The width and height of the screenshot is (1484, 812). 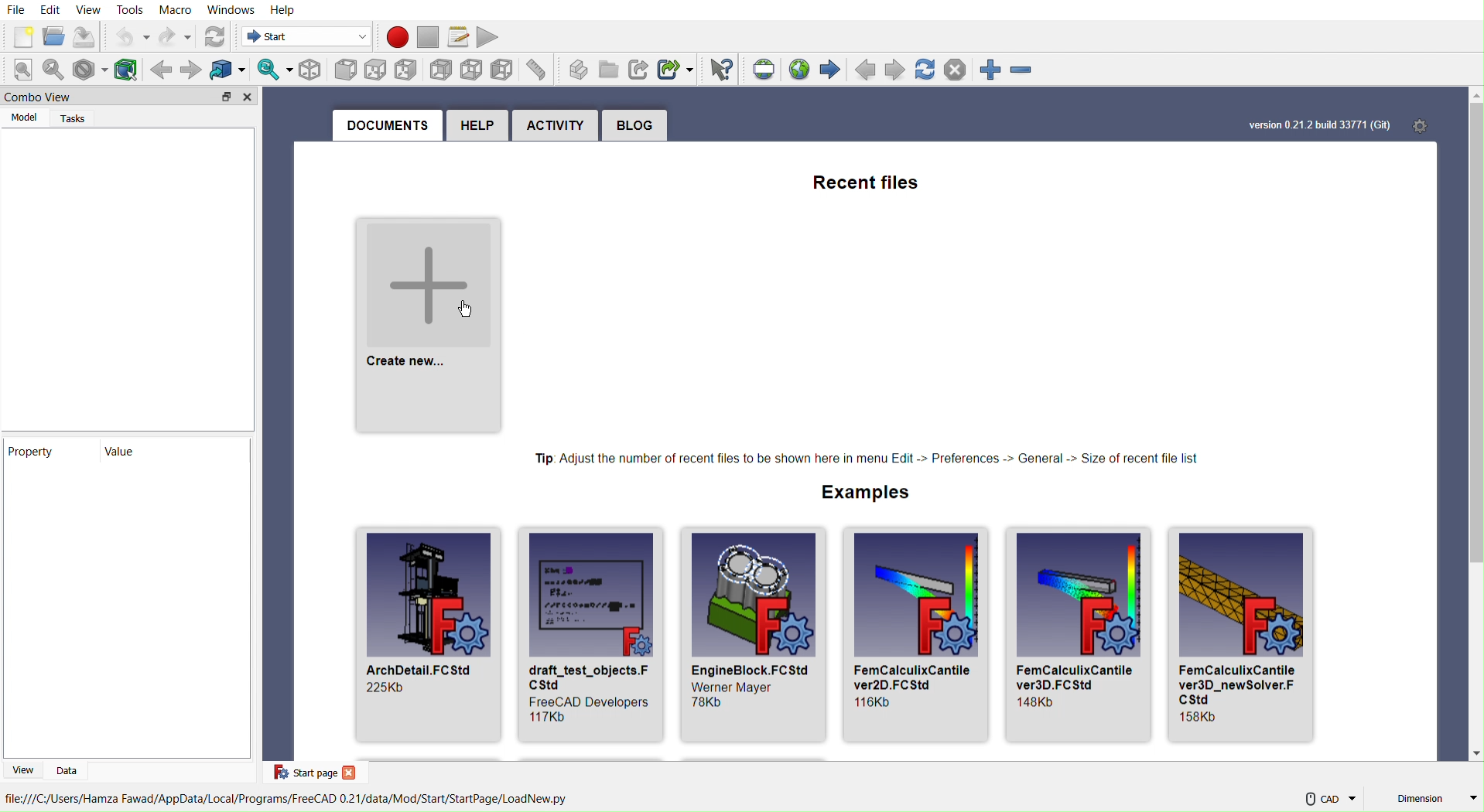 I want to click on Next page, so click(x=898, y=71).